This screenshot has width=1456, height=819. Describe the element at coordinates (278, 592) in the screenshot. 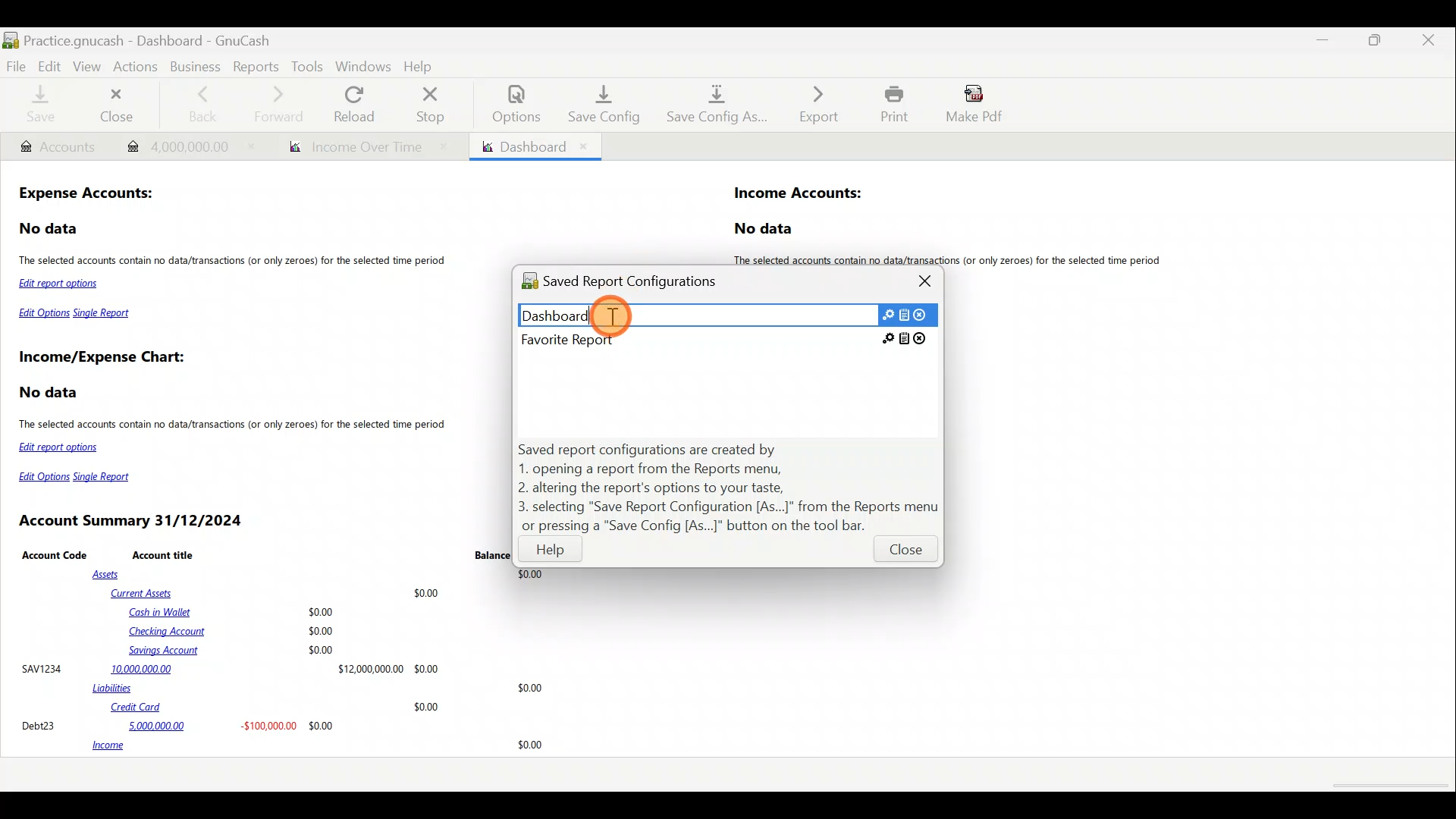

I see `Current Assets $0.00` at that location.